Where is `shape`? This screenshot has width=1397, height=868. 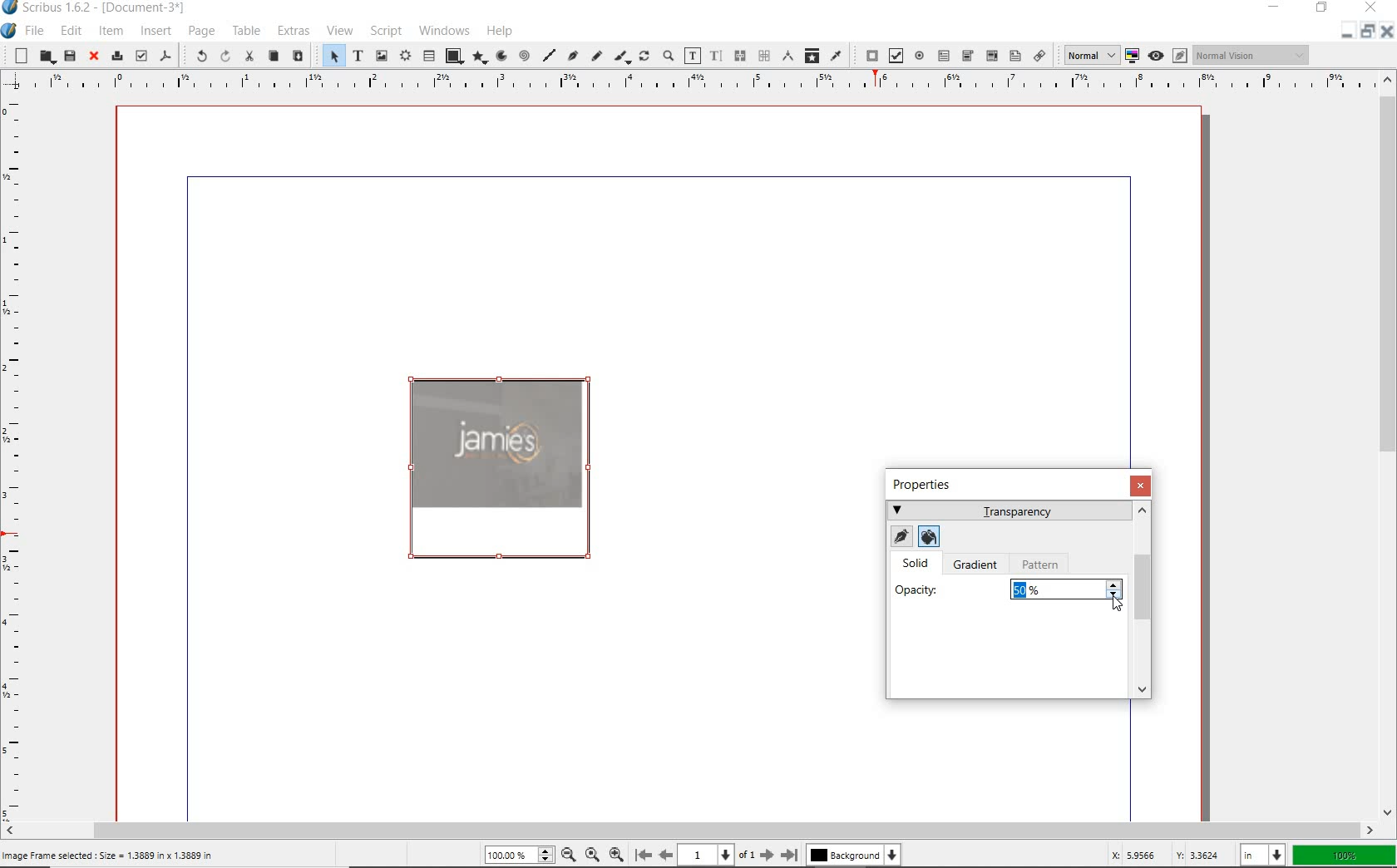 shape is located at coordinates (453, 56).